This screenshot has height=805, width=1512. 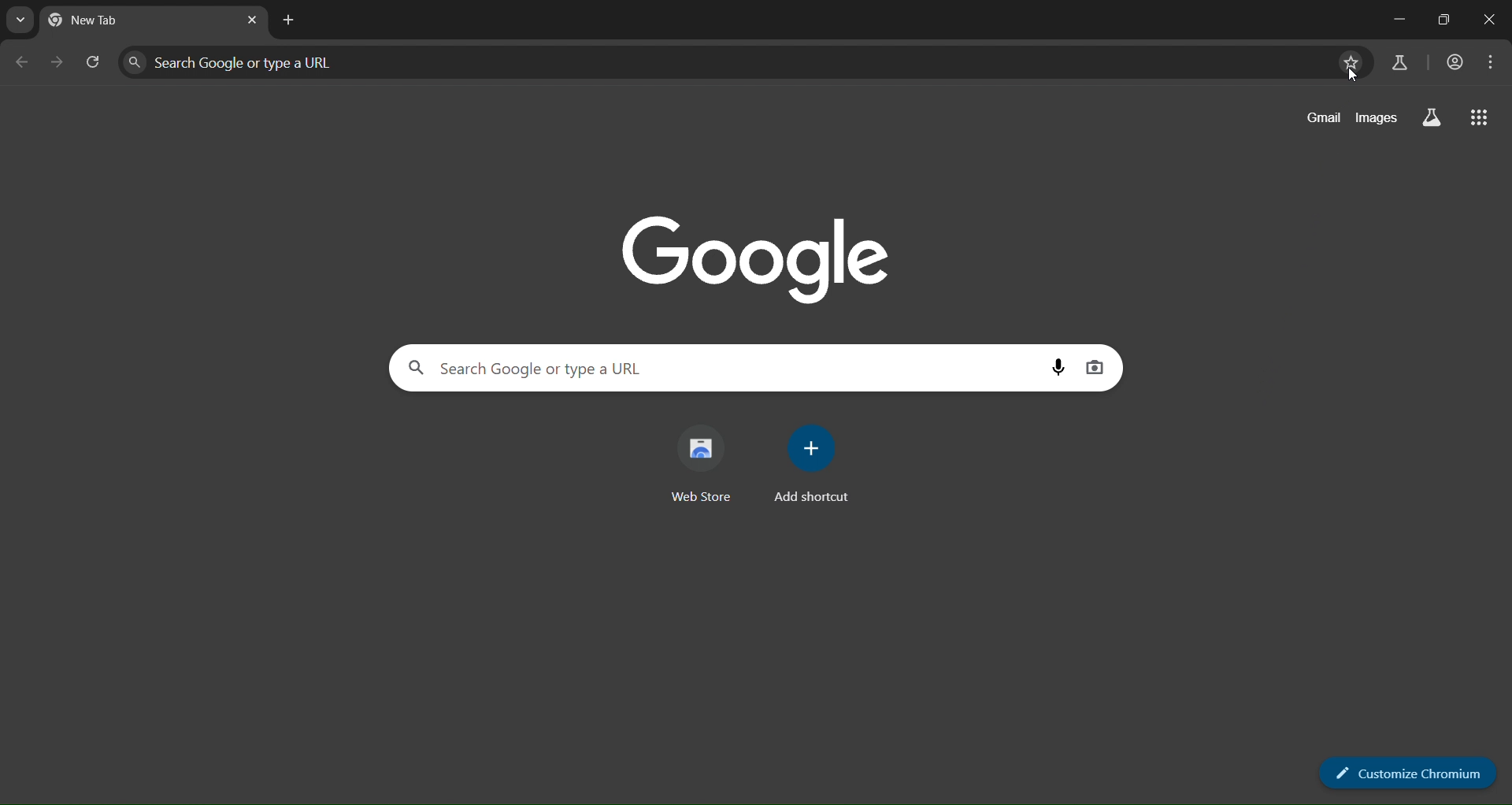 What do you see at coordinates (760, 254) in the screenshot?
I see `google` at bounding box center [760, 254].